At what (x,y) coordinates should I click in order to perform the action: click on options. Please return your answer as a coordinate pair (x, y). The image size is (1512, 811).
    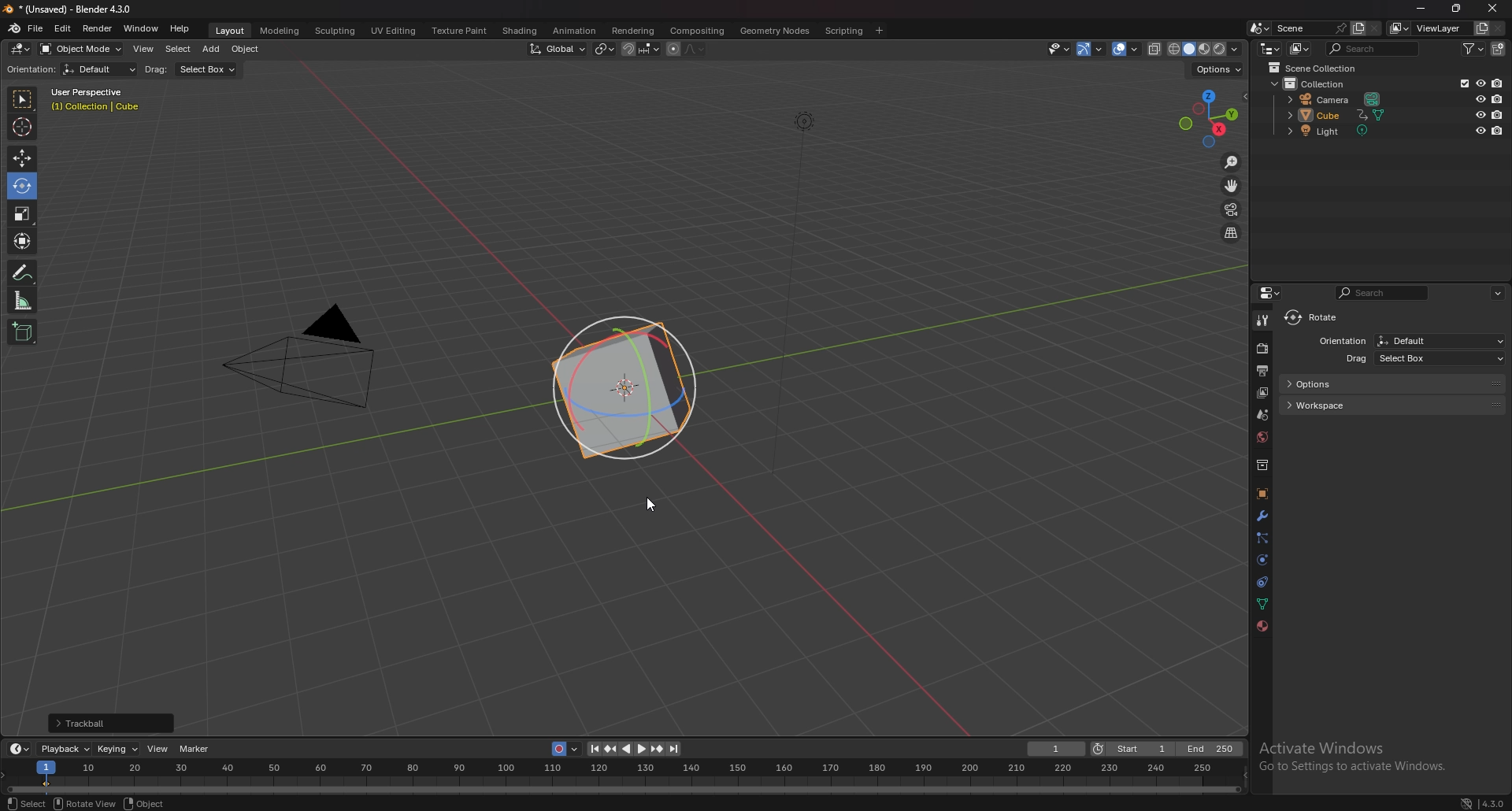
    Looking at the image, I should click on (1394, 385).